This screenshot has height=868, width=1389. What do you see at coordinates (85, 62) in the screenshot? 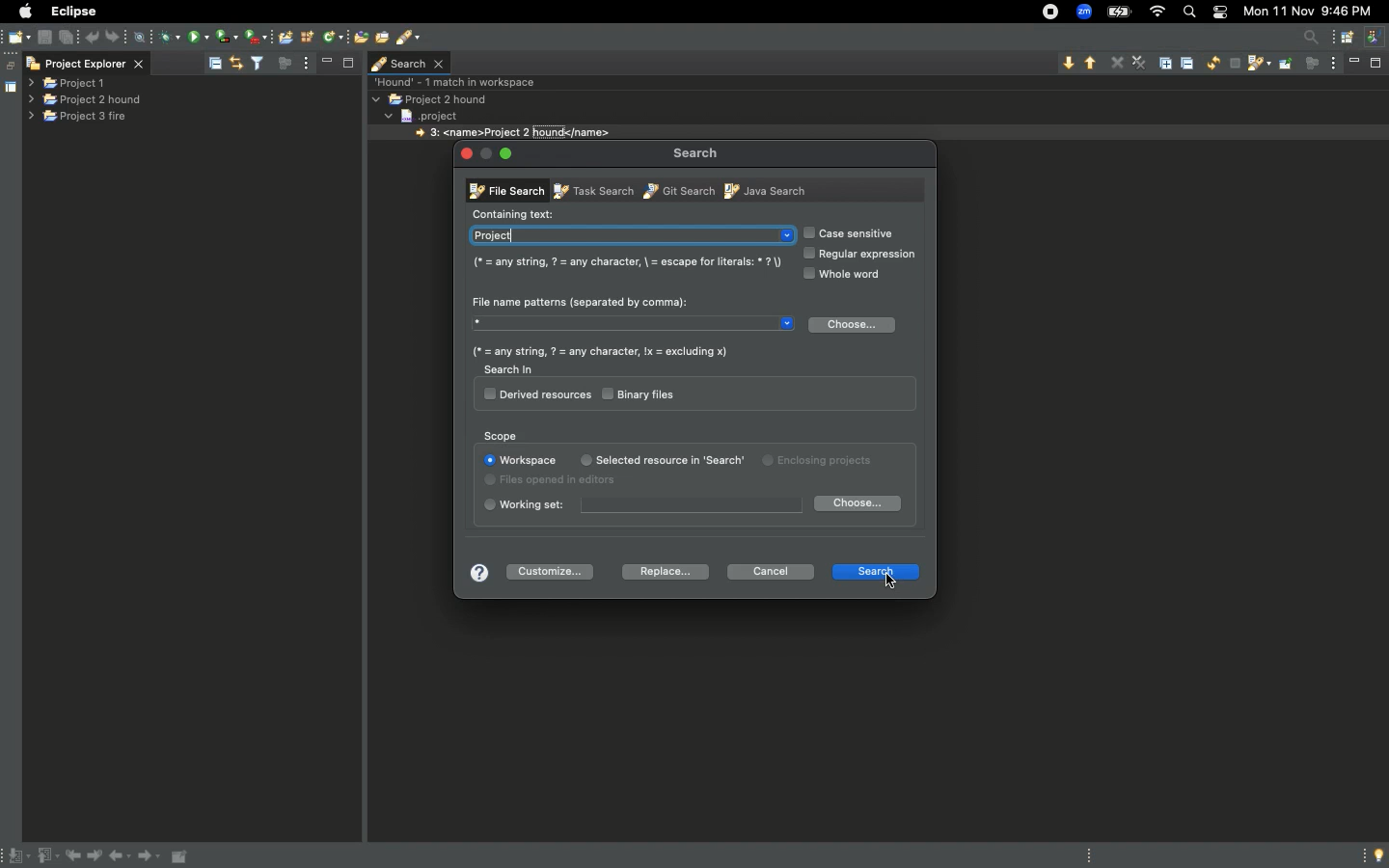
I see `project explorer` at bounding box center [85, 62].